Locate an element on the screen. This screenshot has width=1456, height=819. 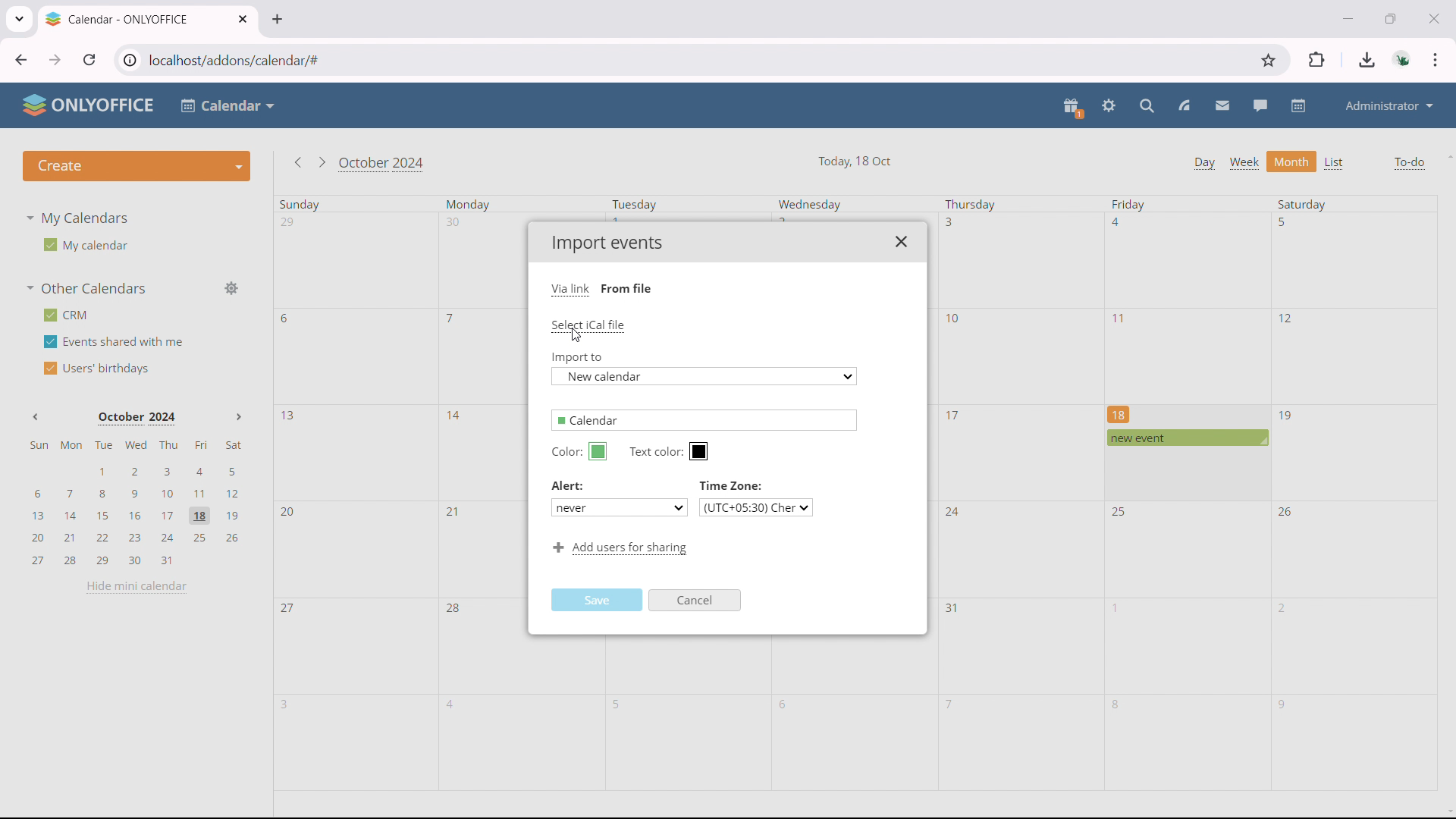
maximize is located at coordinates (1391, 17).